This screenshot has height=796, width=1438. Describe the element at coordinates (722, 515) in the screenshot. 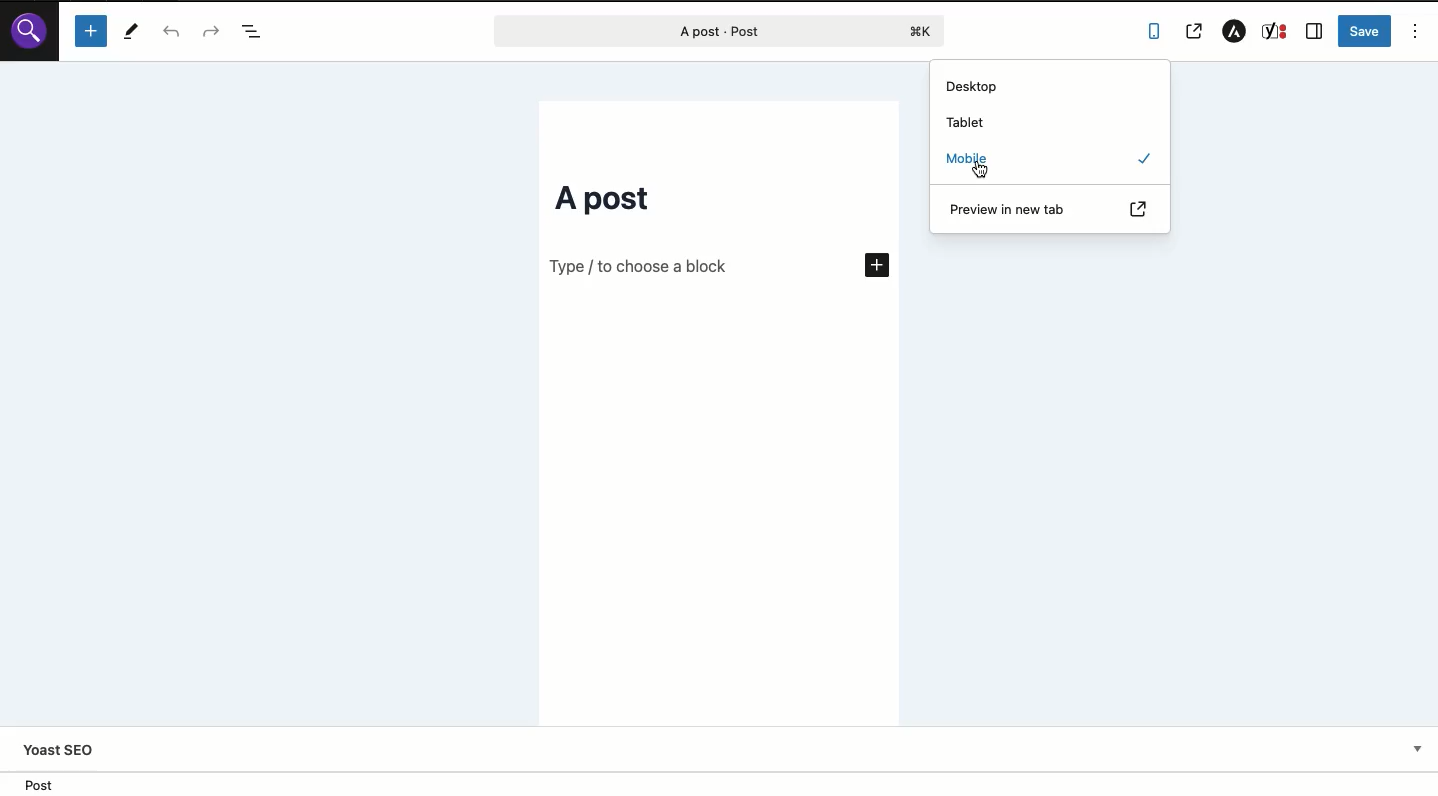

I see `Mobile view` at that location.